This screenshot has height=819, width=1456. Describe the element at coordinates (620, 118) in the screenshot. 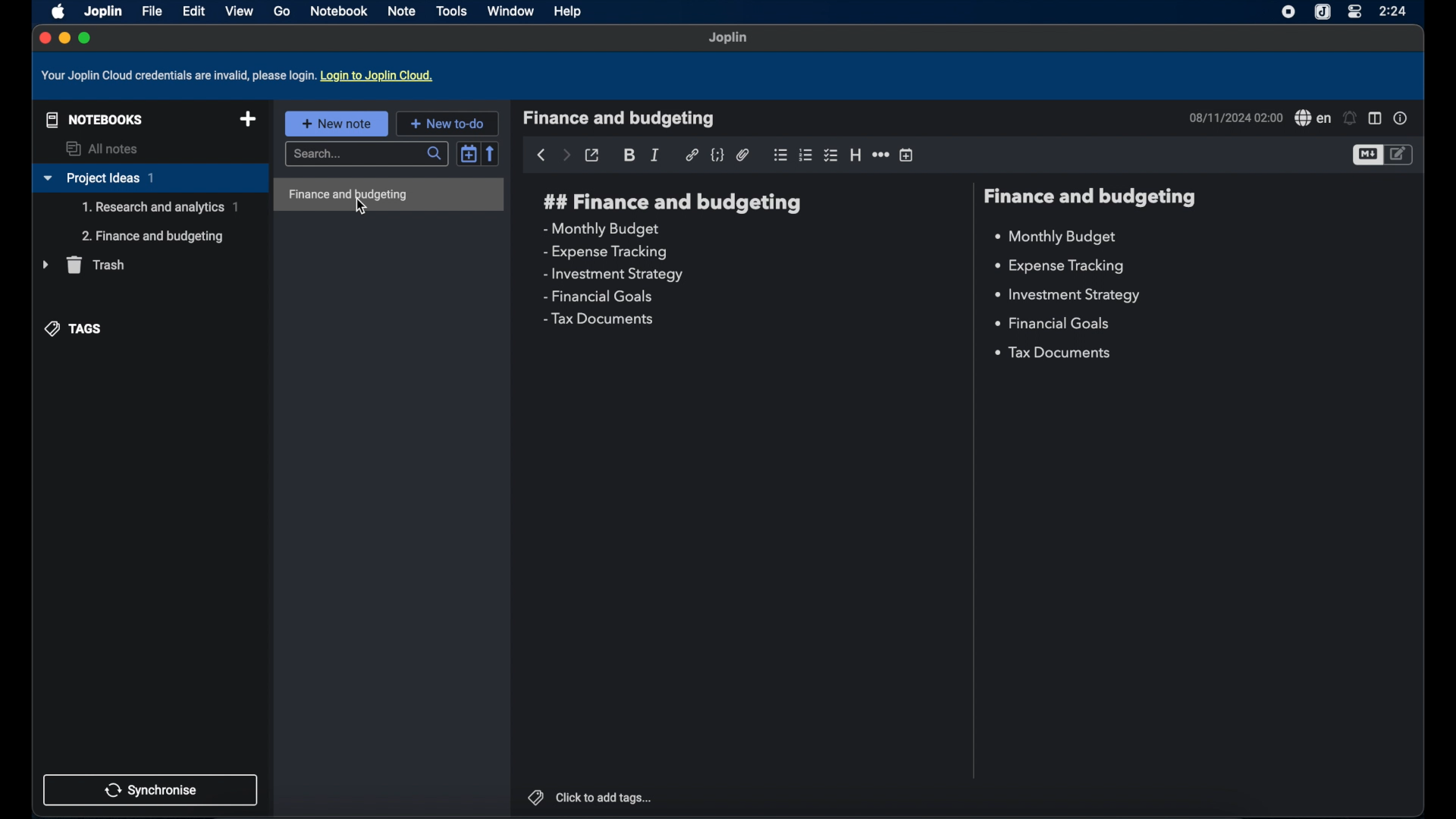

I see `finance and budgeting` at that location.